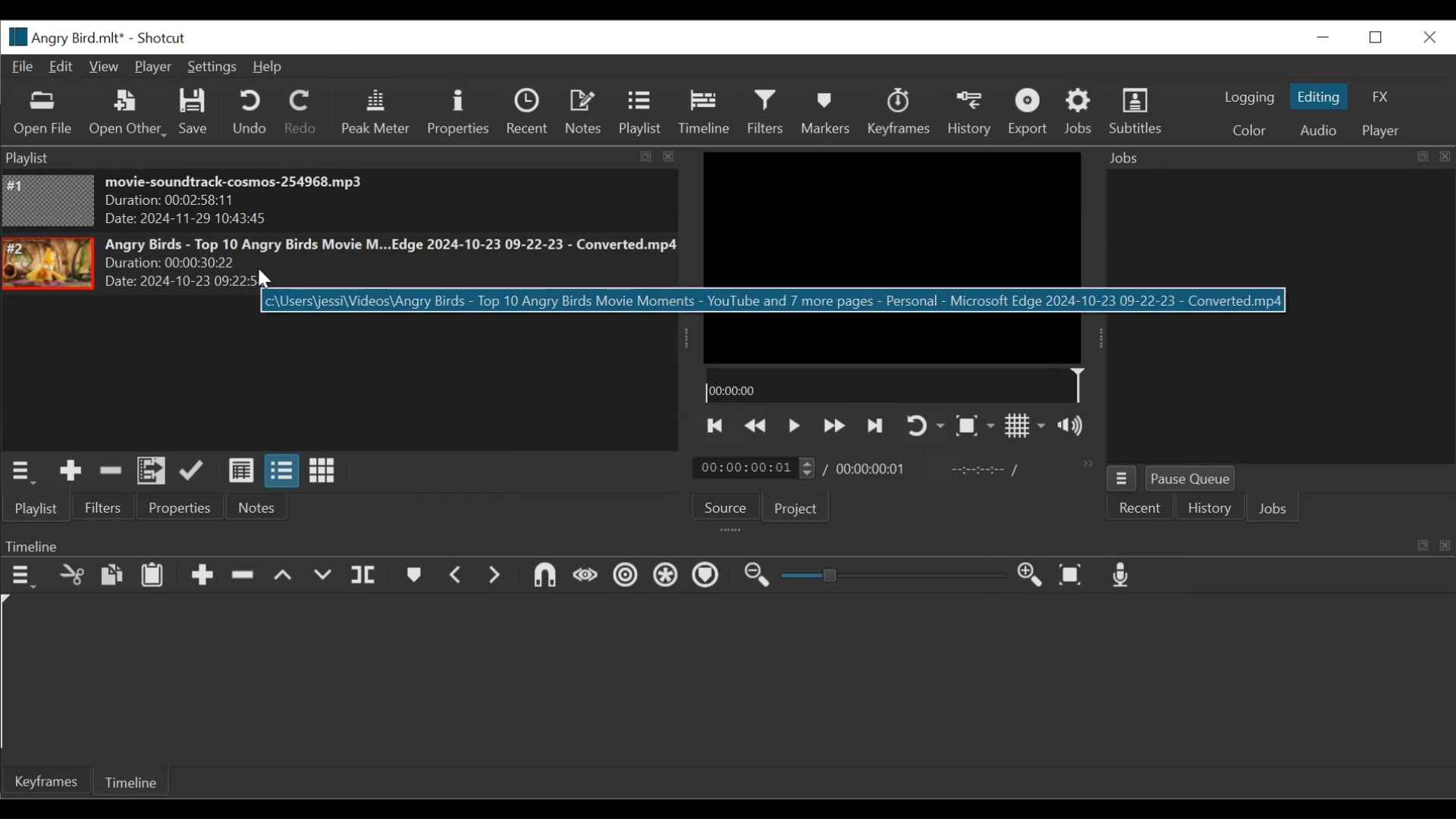 This screenshot has height=819, width=1456. Describe the element at coordinates (625, 578) in the screenshot. I see `Ripple` at that location.